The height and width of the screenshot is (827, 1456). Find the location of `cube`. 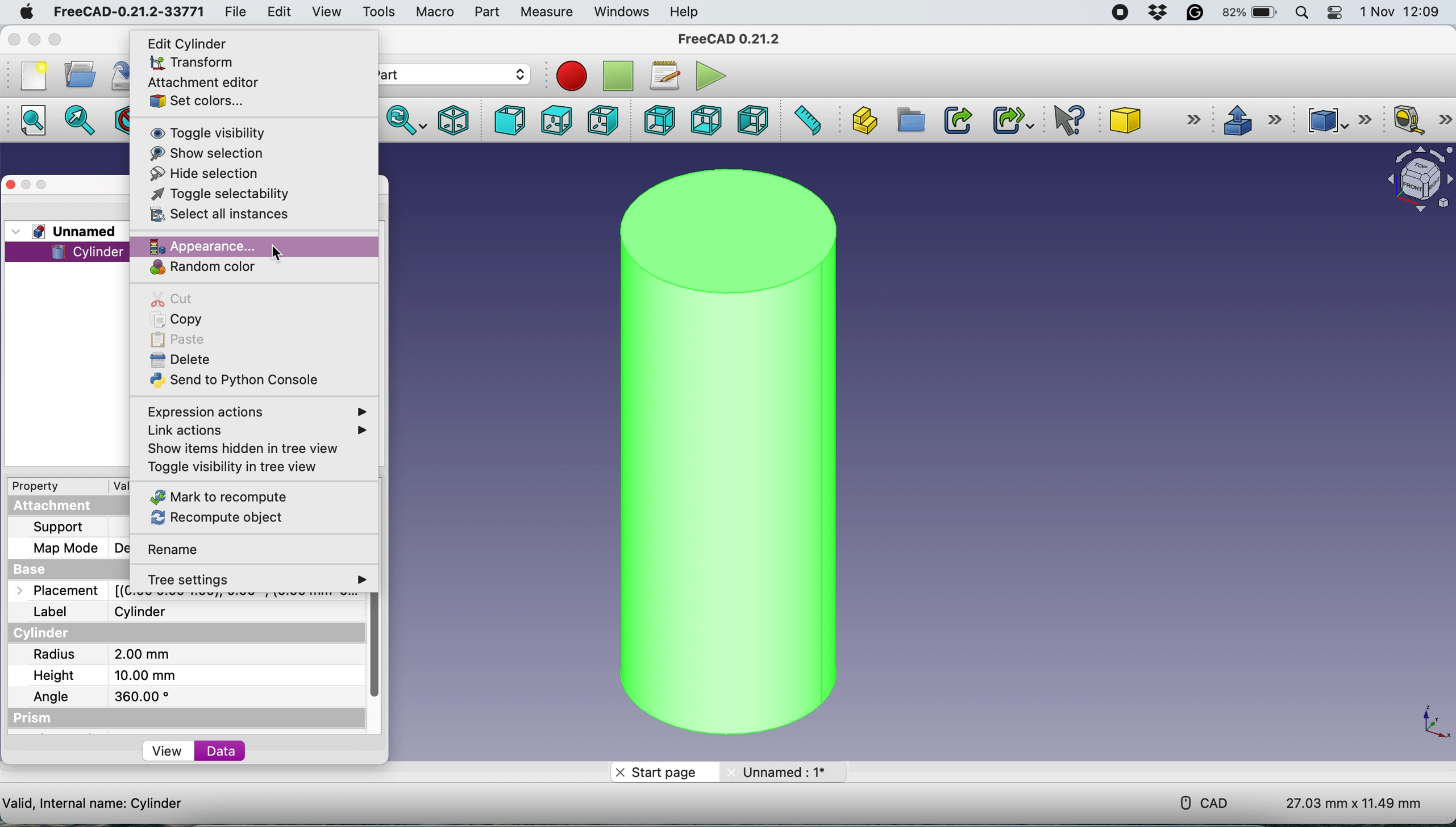

cube is located at coordinates (1155, 118).